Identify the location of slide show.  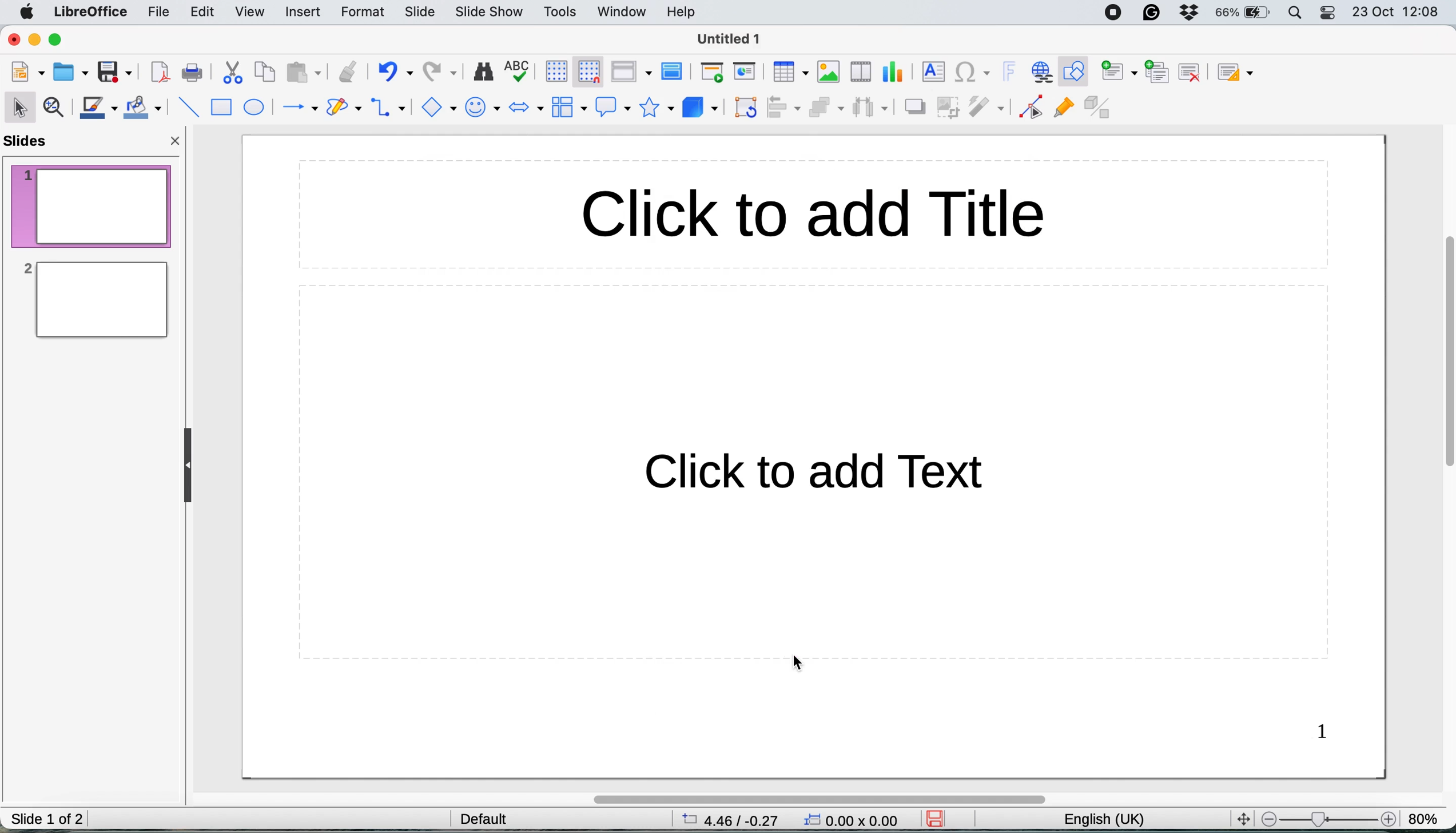
(491, 14).